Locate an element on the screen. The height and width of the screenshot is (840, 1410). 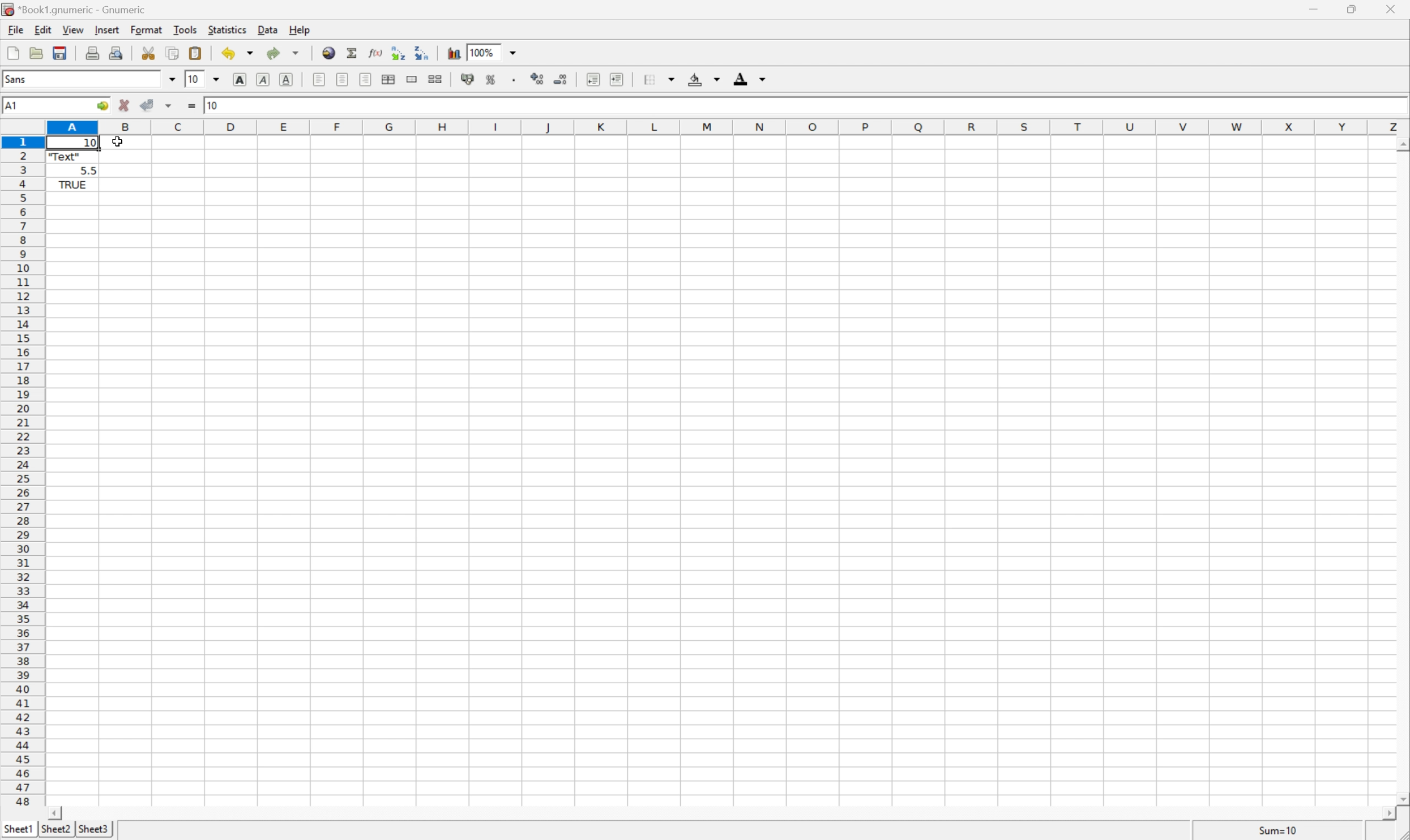
Tools is located at coordinates (186, 29).